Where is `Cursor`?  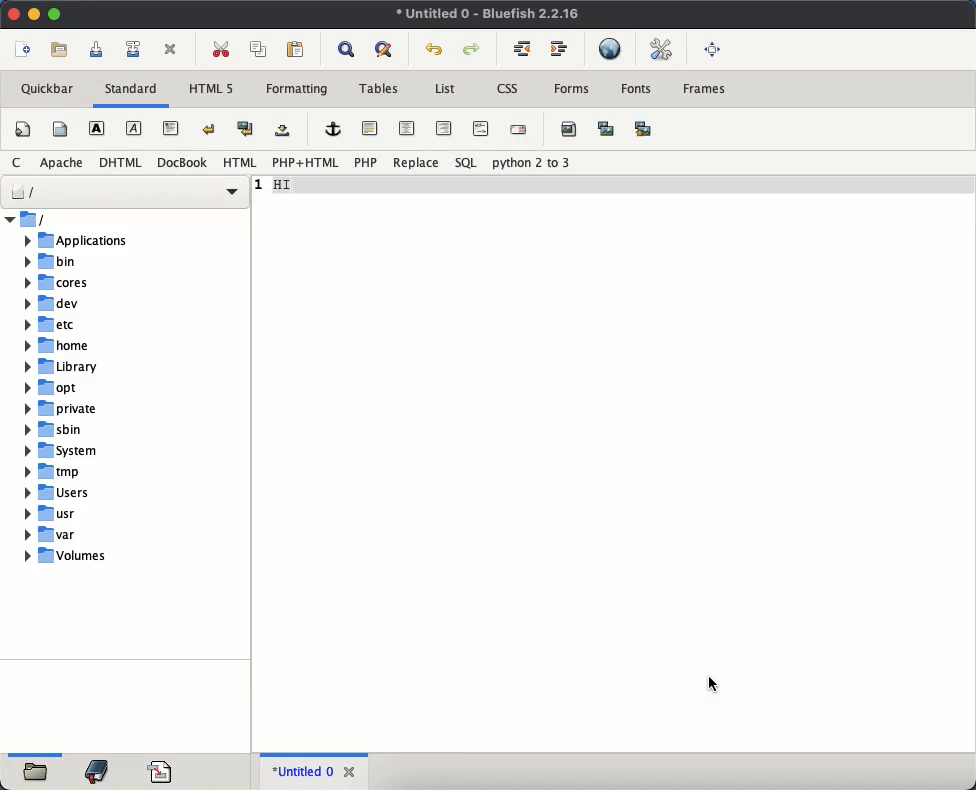
Cursor is located at coordinates (712, 685).